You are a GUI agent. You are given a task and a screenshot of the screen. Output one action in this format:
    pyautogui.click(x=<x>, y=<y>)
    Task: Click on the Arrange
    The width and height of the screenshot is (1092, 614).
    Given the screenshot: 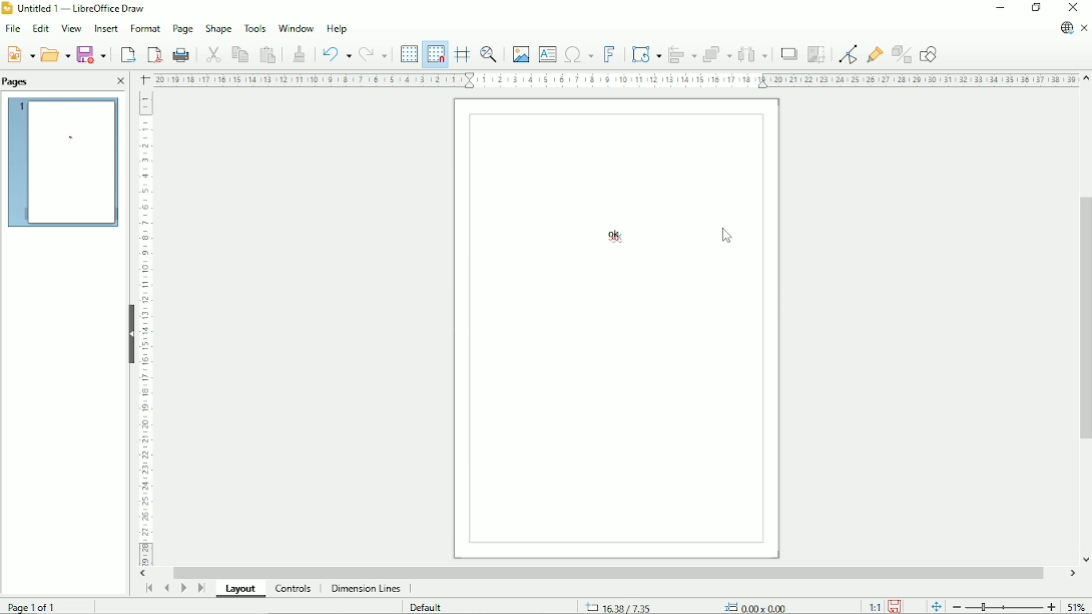 What is the action you would take?
    pyautogui.click(x=716, y=53)
    